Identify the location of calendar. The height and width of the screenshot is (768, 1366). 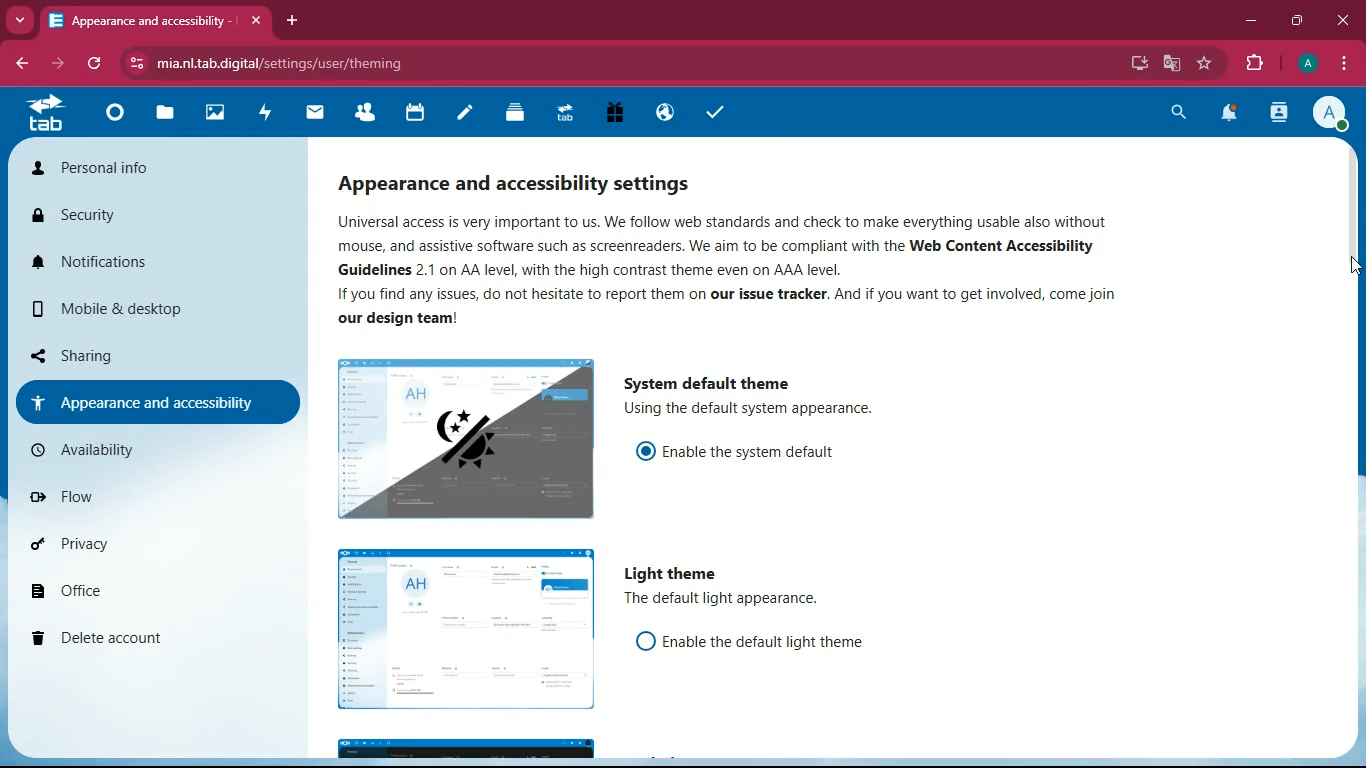
(417, 114).